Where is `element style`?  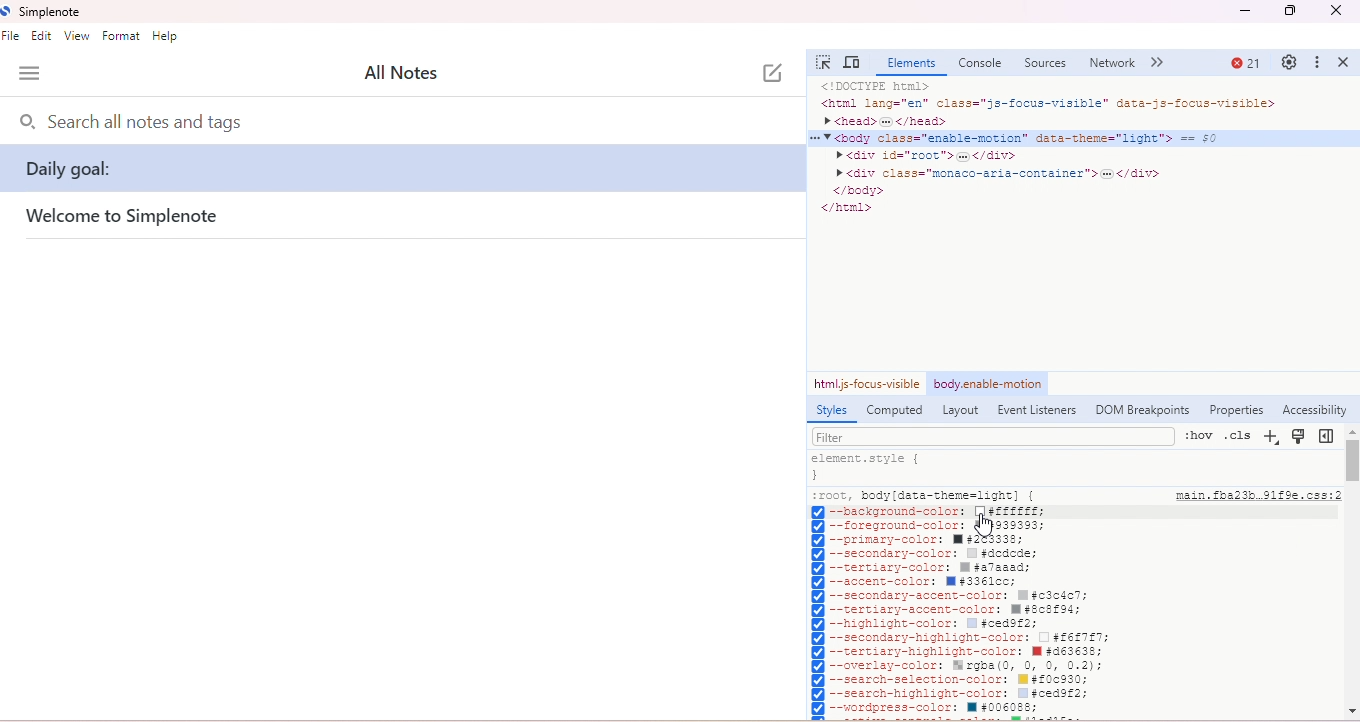
element style is located at coordinates (868, 467).